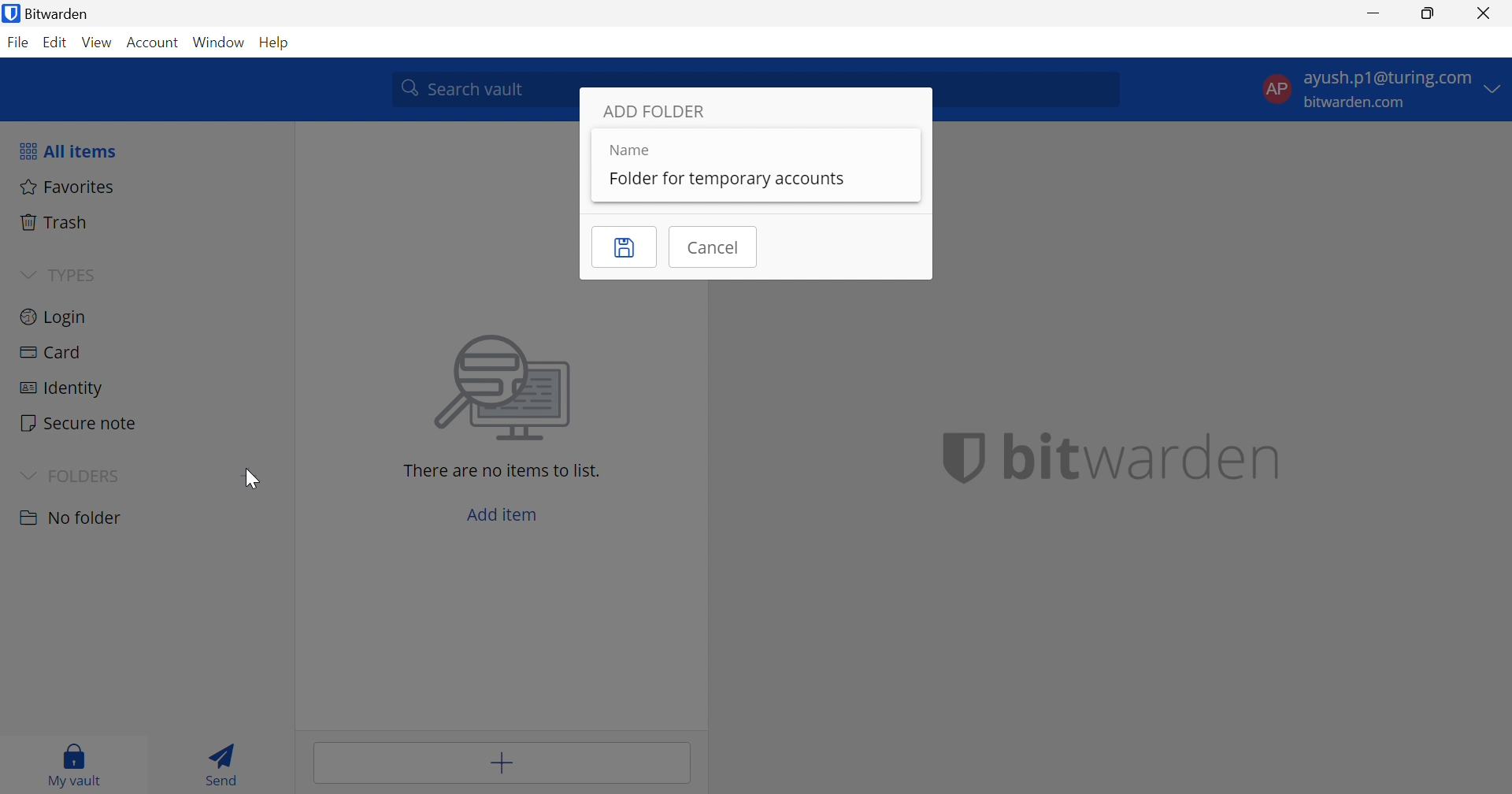 The width and height of the screenshot is (1512, 794). I want to click on Send, so click(223, 764).